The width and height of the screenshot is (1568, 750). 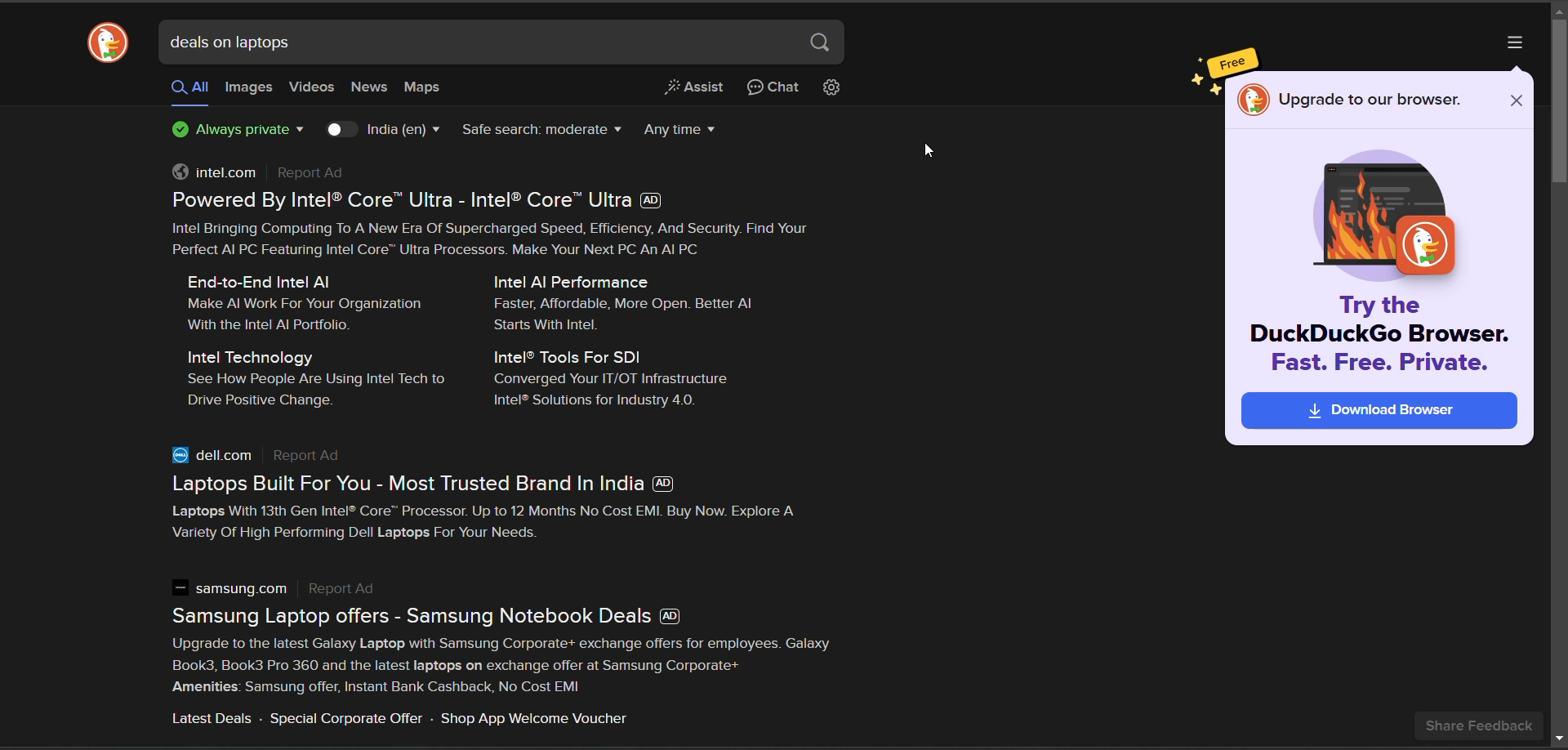 What do you see at coordinates (510, 666) in the screenshot?
I see `Upgrade to the latest Galaxy Laptop with Samsung Corporate+ exchange offers for employees. Galaxy
Book3, Book3 Pro 360 and the latest laptops on exchange offer at Samsung Corporate+
Amenities: Samsung offer, Instant Bank Cashback, No Cost EMI` at bounding box center [510, 666].